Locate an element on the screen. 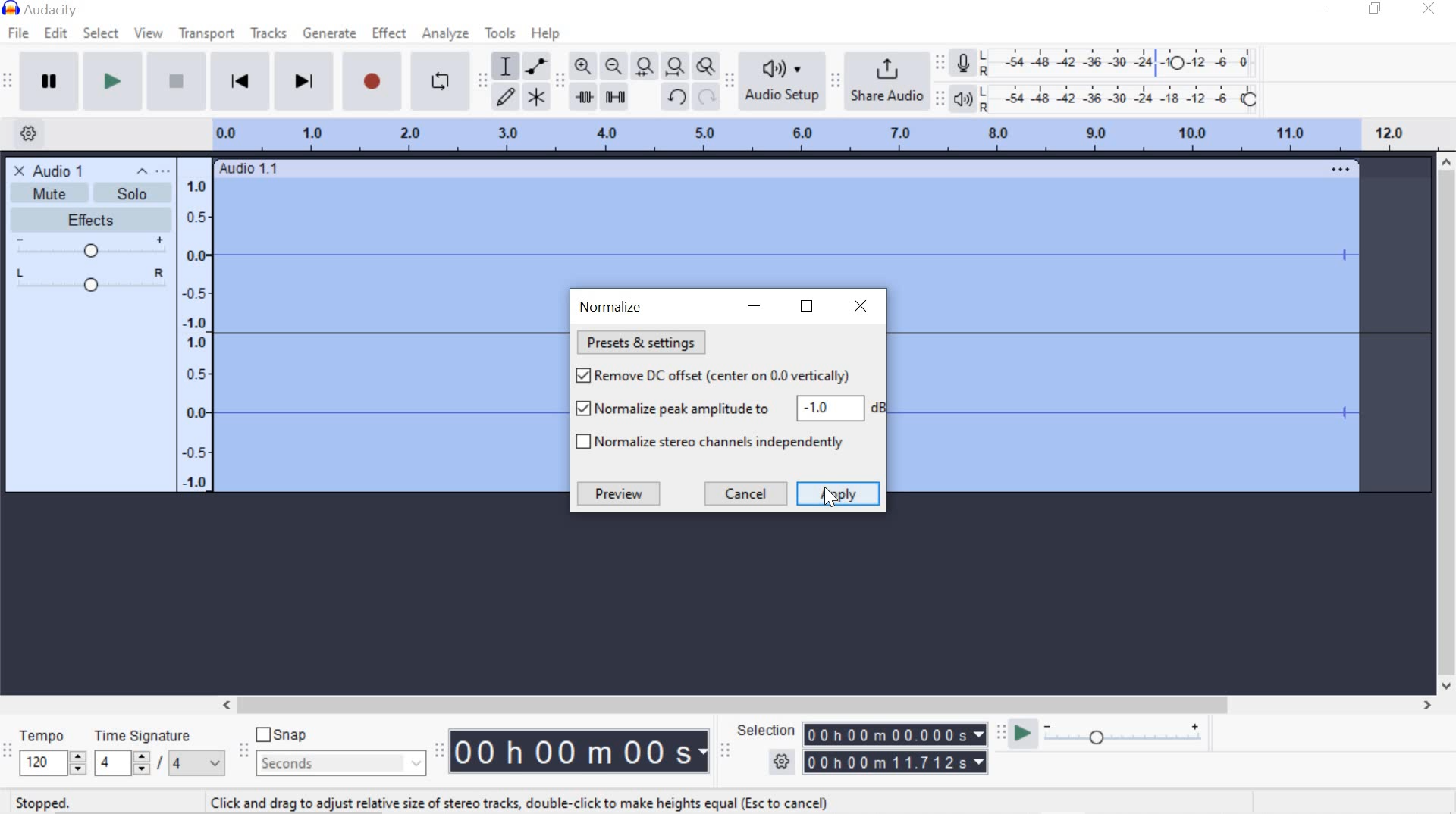  Play is located at coordinates (113, 83).